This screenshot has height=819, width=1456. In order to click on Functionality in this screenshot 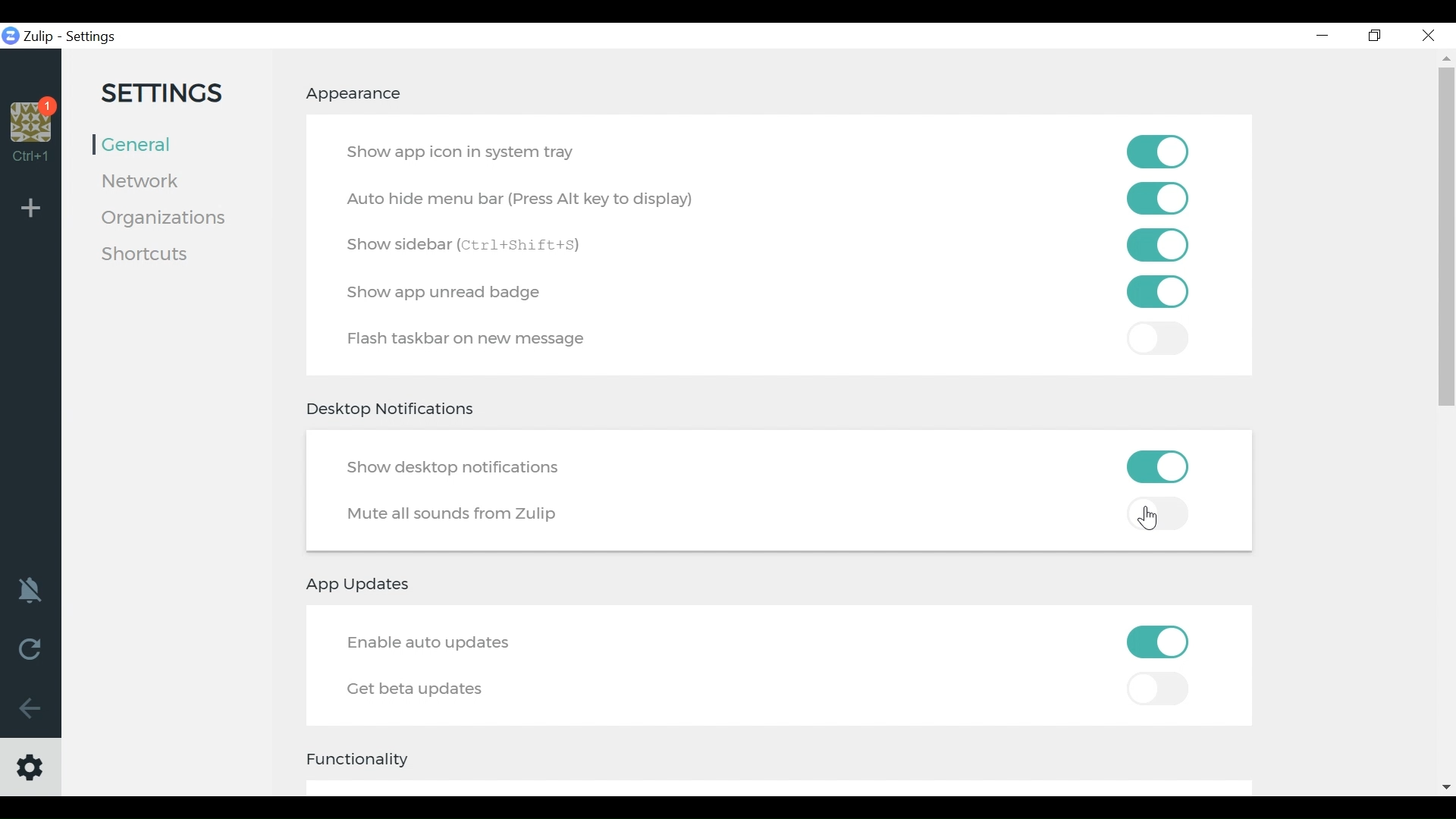, I will do `click(366, 758)`.